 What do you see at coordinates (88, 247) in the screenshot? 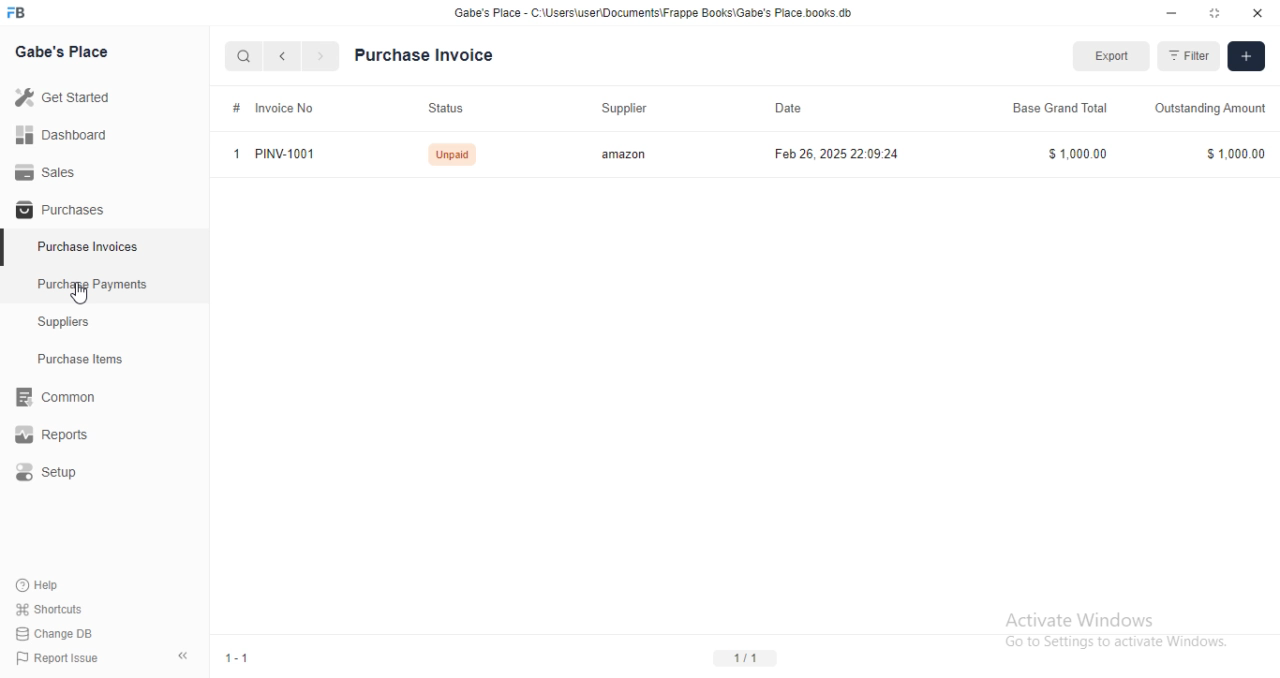
I see `Purchase Invoices` at bounding box center [88, 247].